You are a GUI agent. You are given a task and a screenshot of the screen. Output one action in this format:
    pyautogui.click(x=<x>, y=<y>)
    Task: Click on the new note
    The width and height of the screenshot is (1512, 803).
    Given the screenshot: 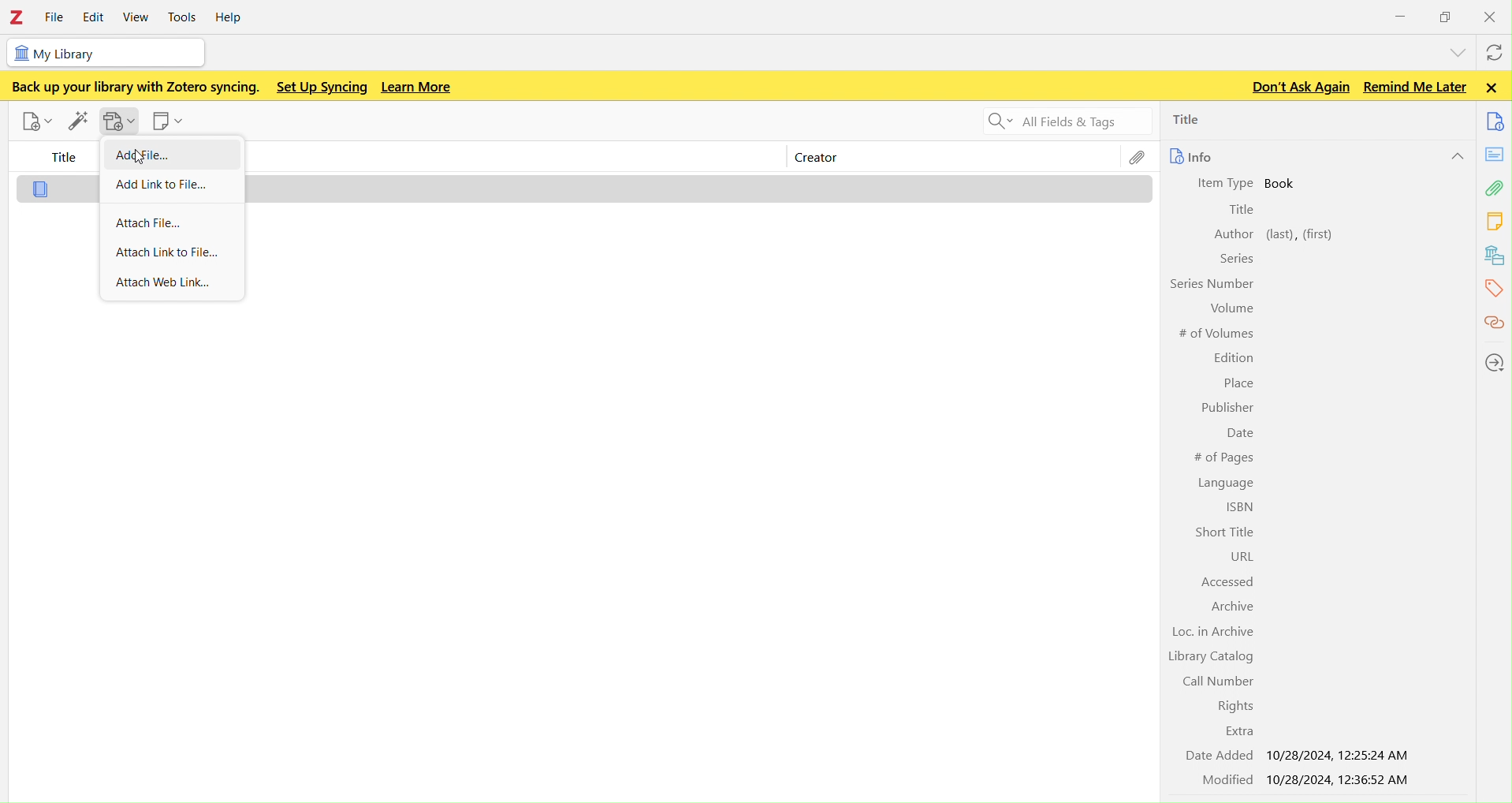 What is the action you would take?
    pyautogui.click(x=169, y=119)
    